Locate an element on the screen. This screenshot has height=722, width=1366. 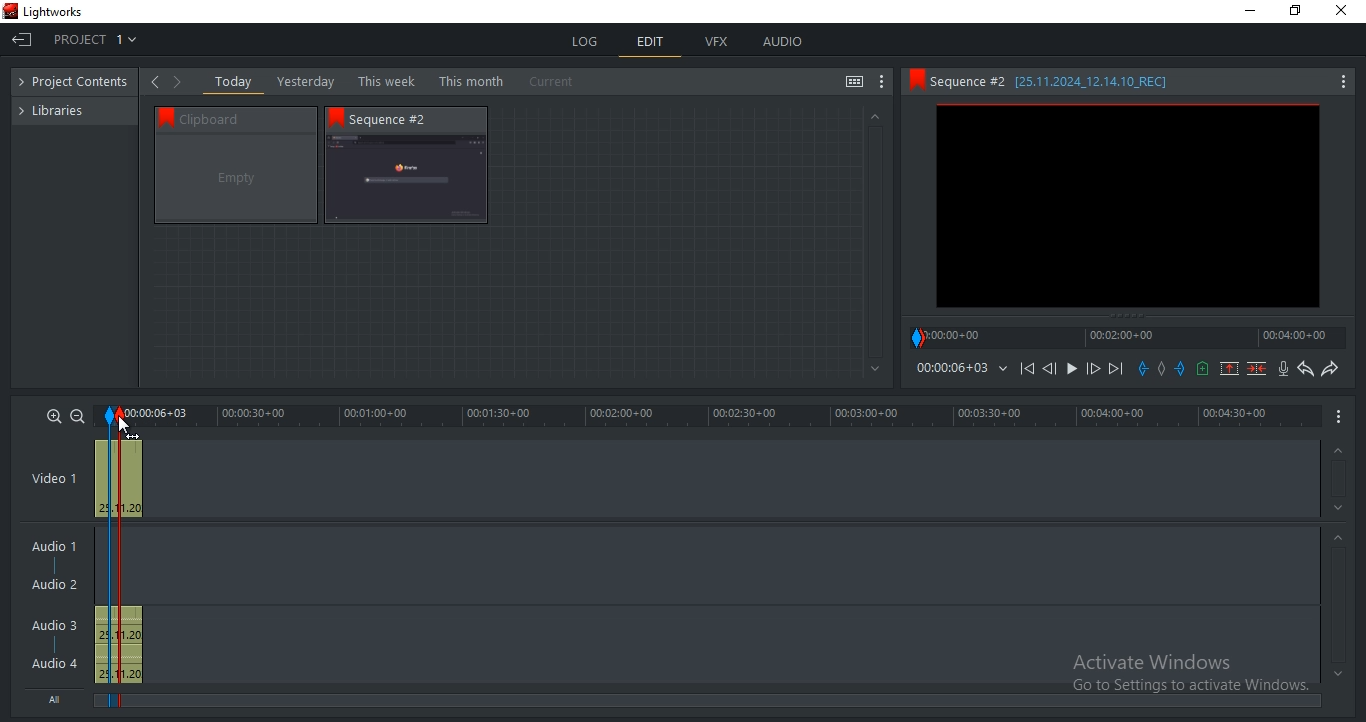
vfx is located at coordinates (716, 42).